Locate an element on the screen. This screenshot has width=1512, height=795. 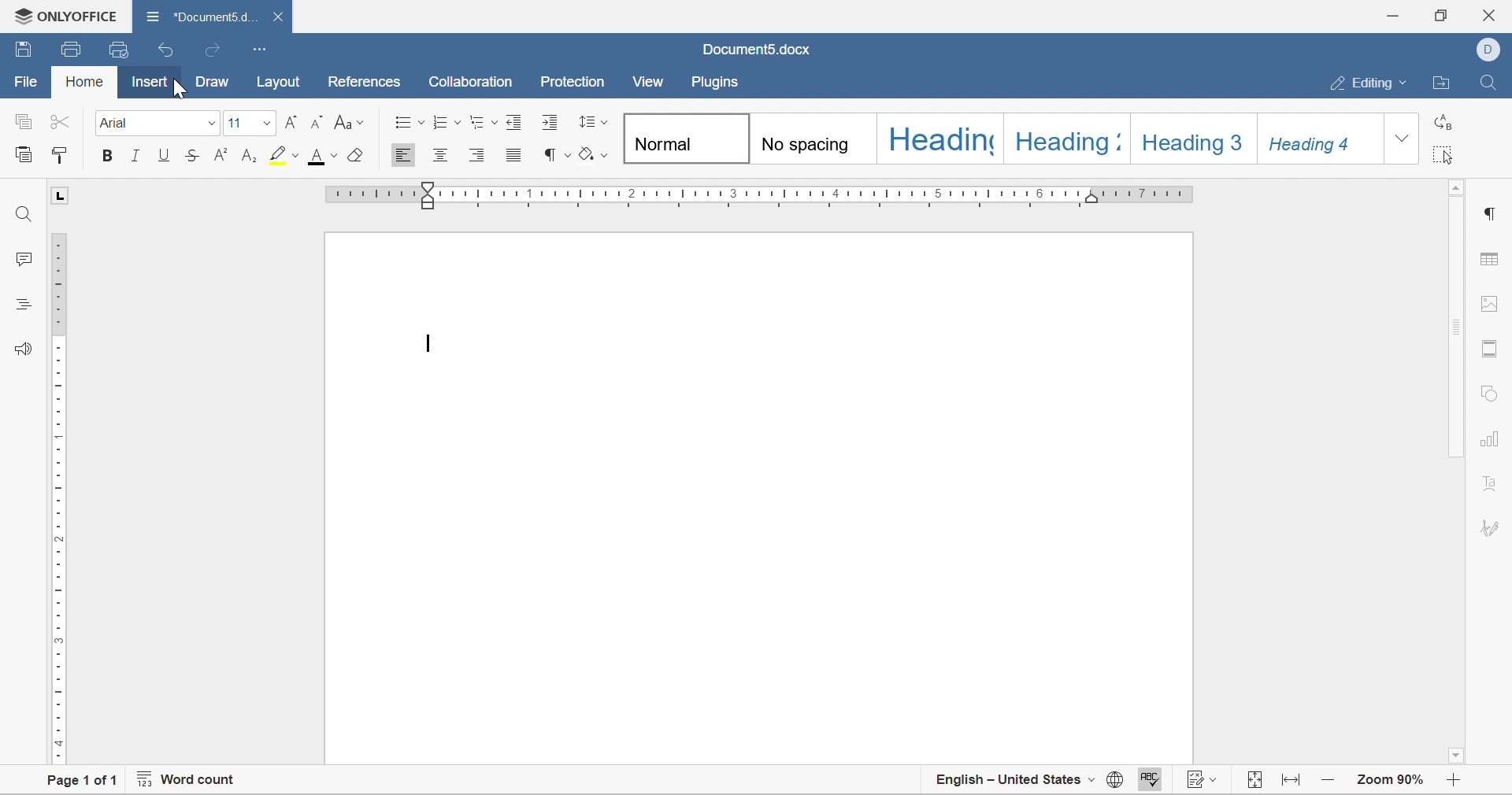
replace is located at coordinates (1442, 123).